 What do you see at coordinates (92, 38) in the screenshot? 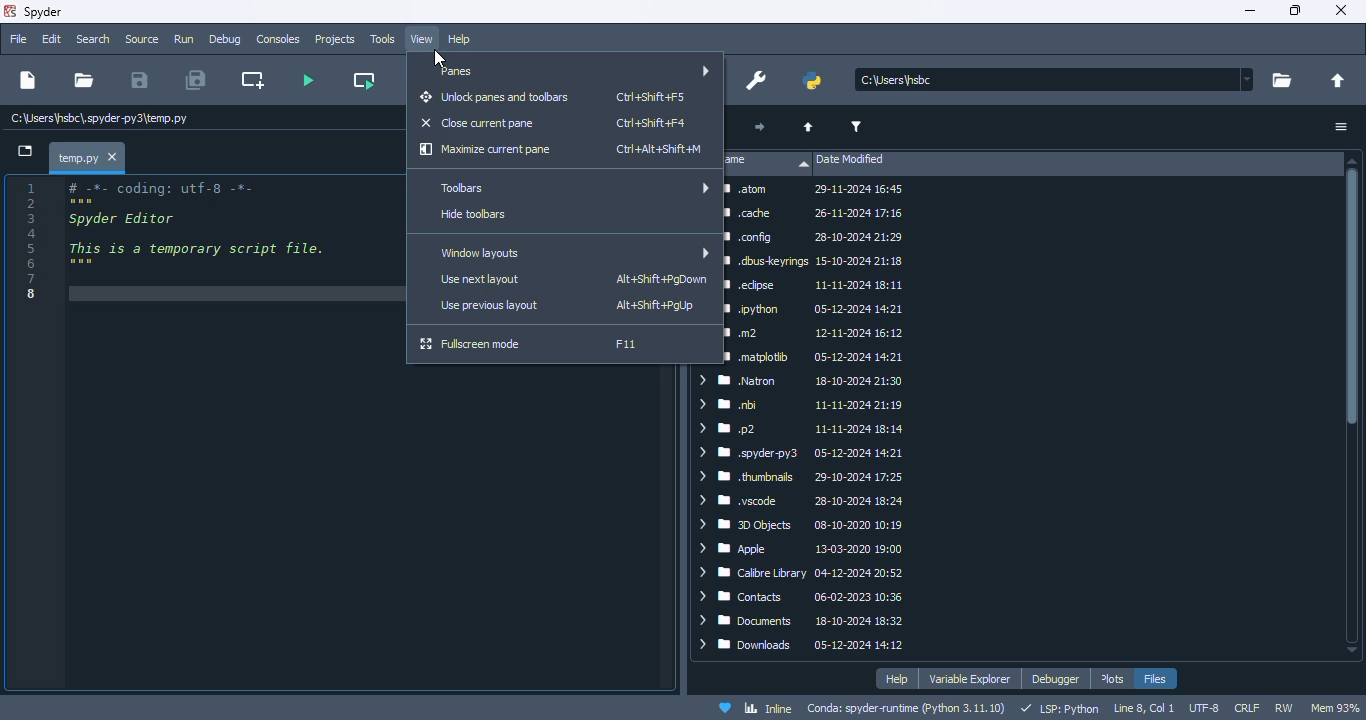
I see `search` at bounding box center [92, 38].